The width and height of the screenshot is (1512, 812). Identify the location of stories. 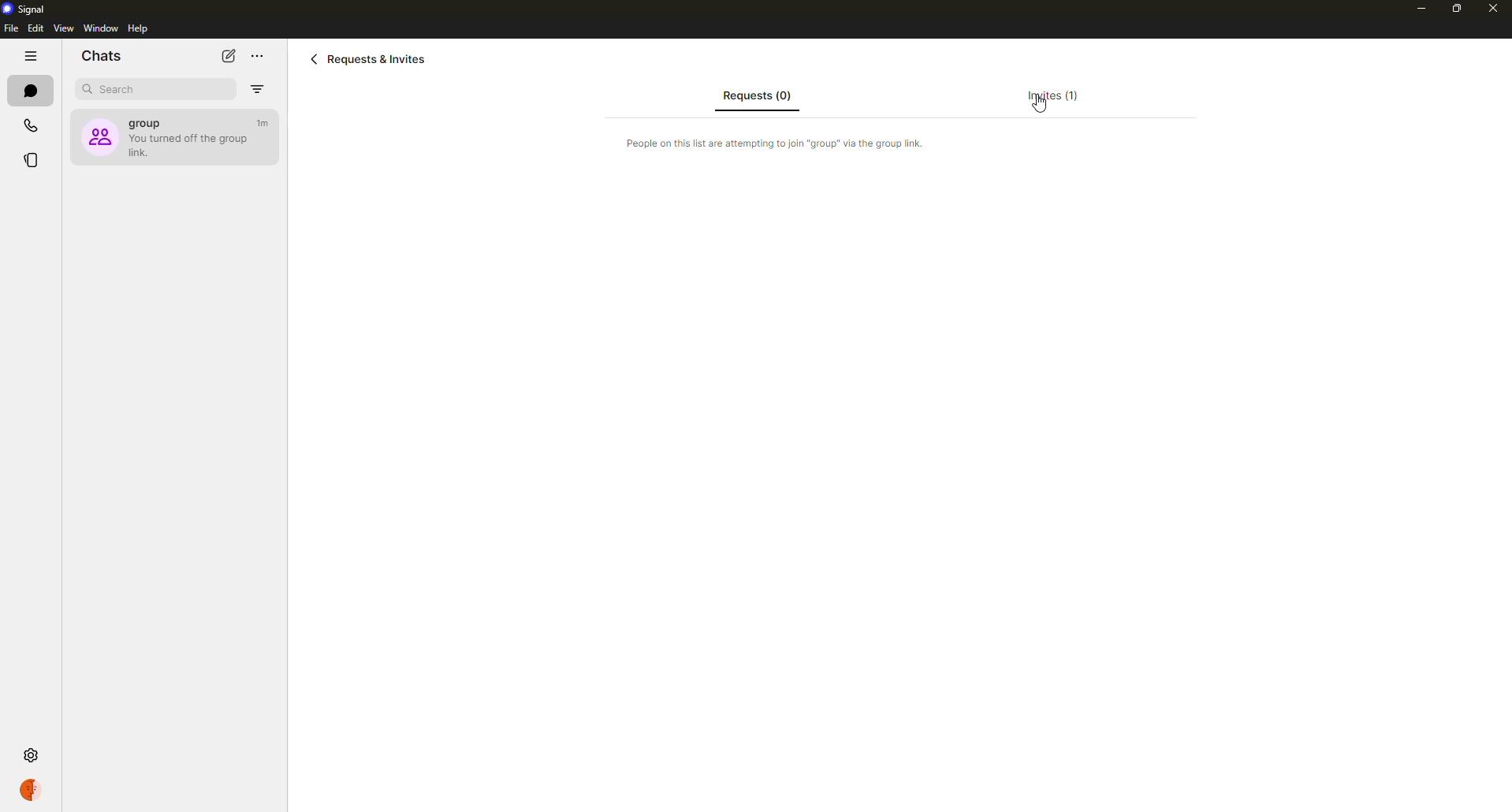
(33, 158).